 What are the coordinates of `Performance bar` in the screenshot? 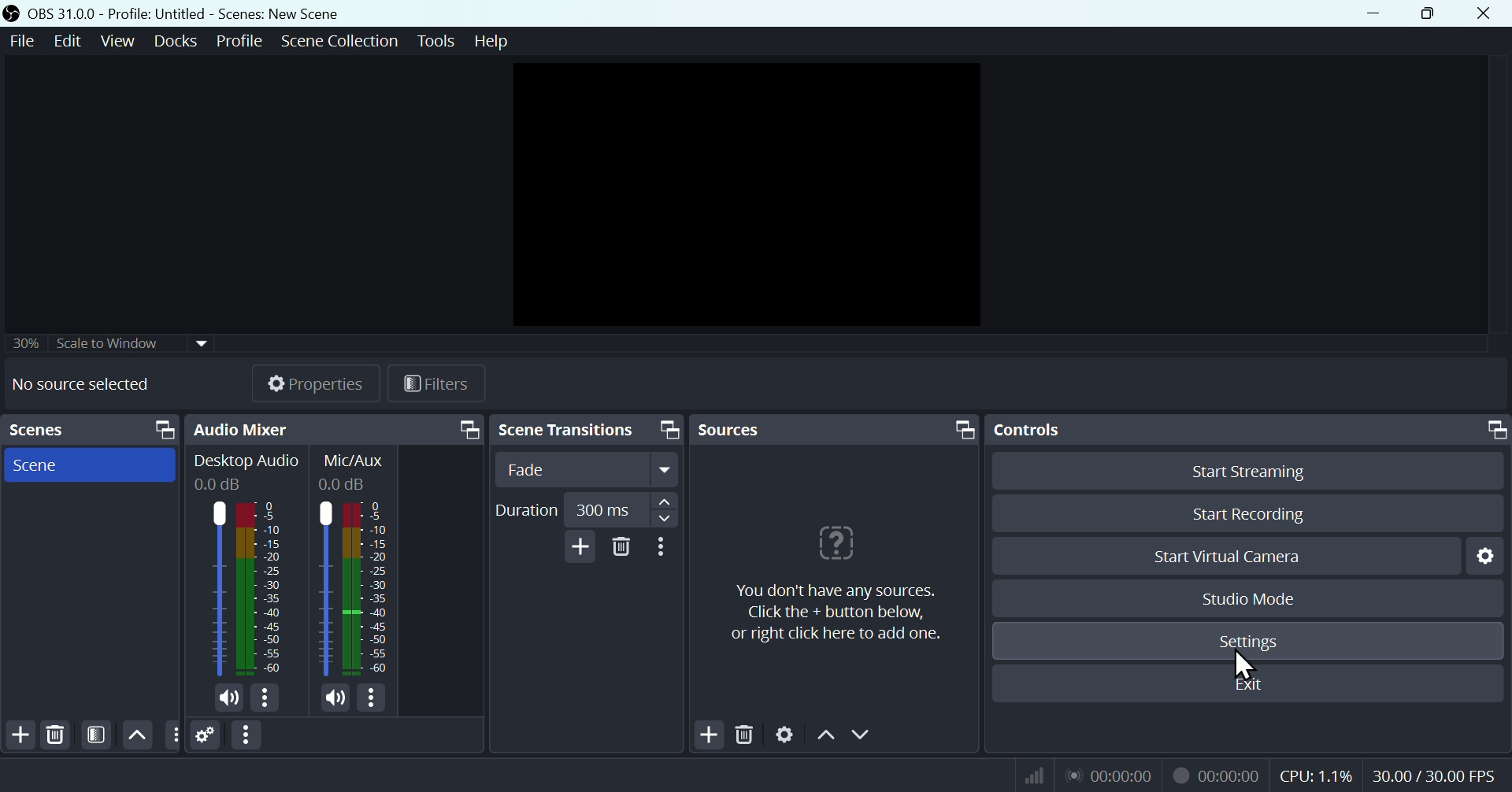 It's located at (1388, 775).